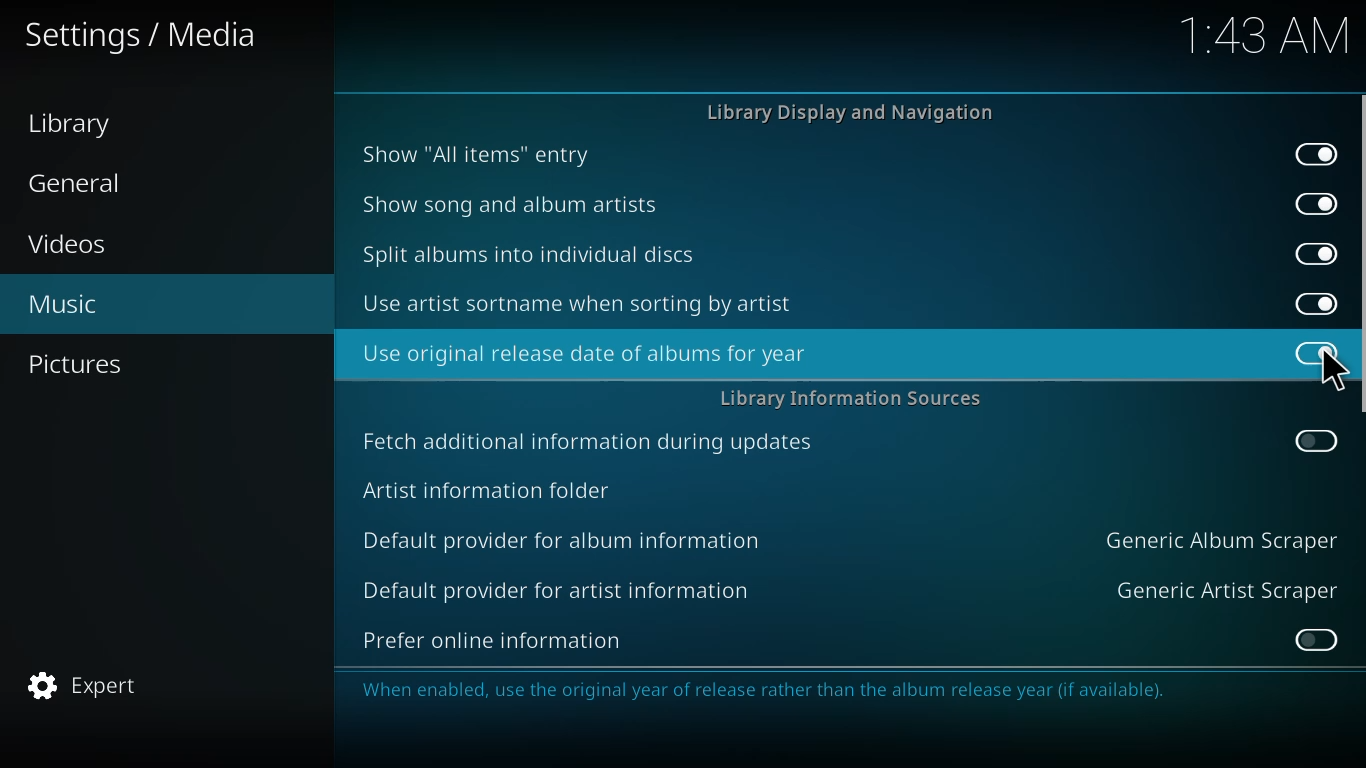  What do you see at coordinates (69, 125) in the screenshot?
I see `library` at bounding box center [69, 125].